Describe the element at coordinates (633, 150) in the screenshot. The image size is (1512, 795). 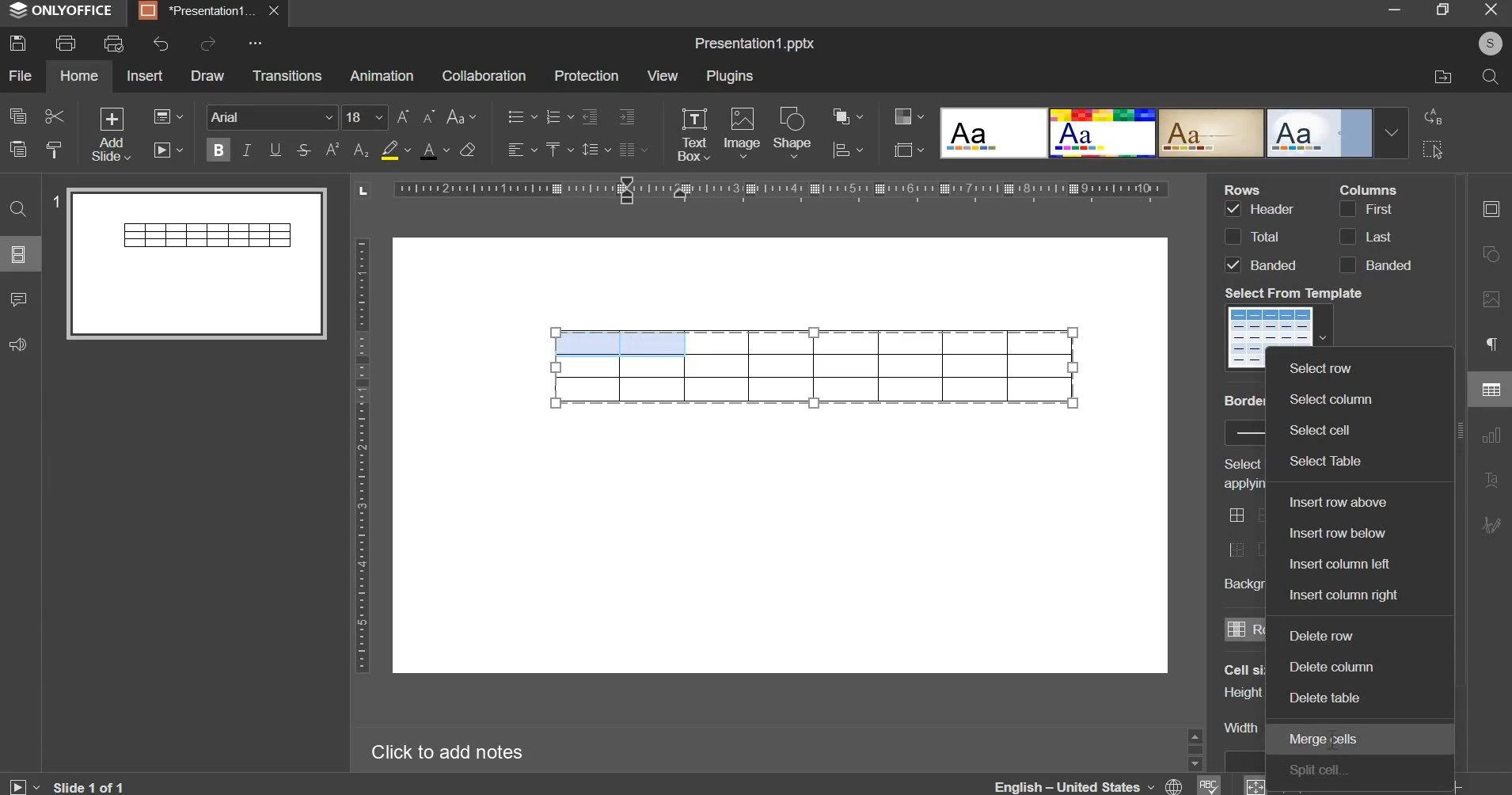
I see `justified` at that location.